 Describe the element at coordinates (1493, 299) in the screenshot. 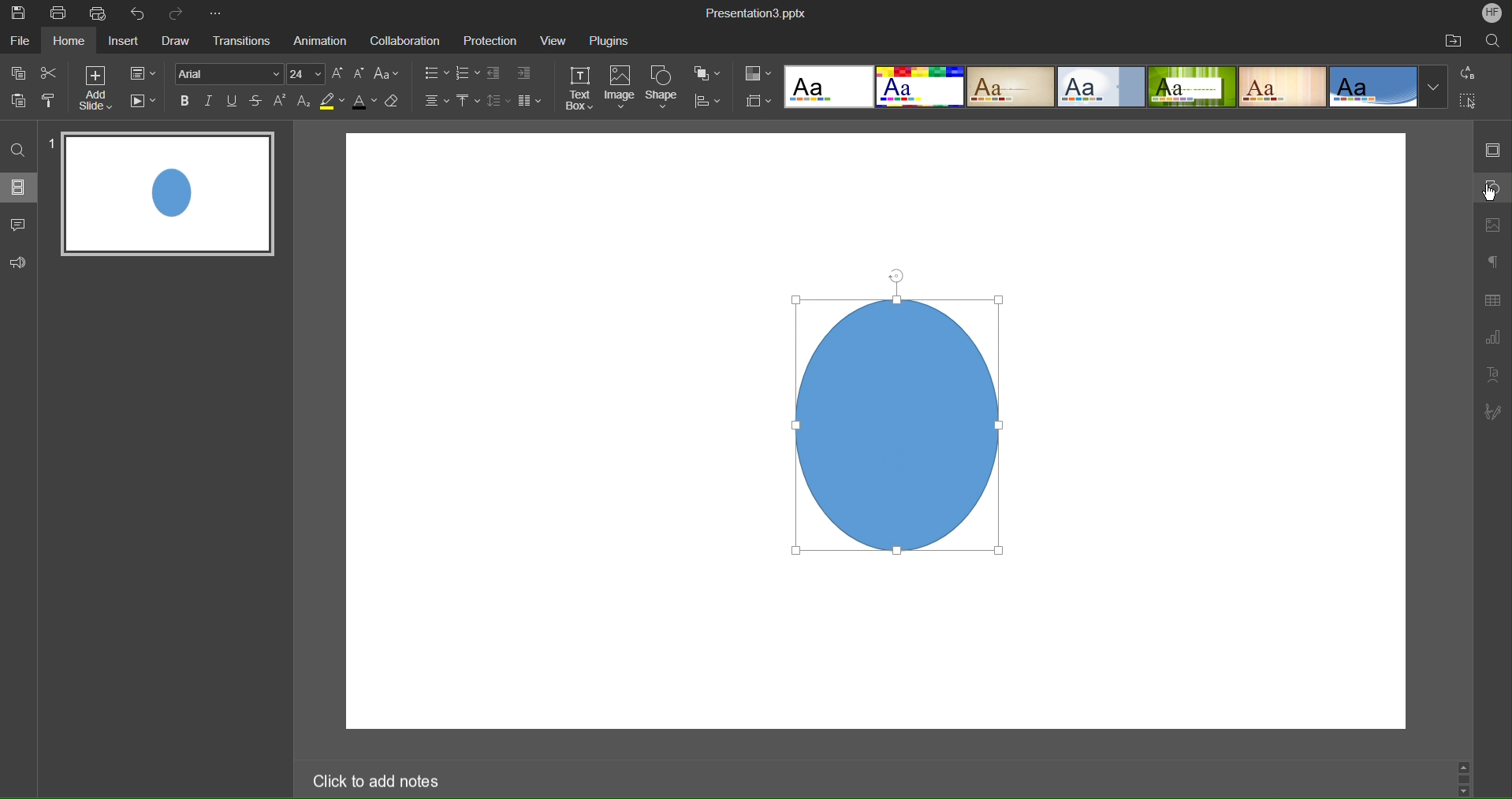

I see `Table` at that location.